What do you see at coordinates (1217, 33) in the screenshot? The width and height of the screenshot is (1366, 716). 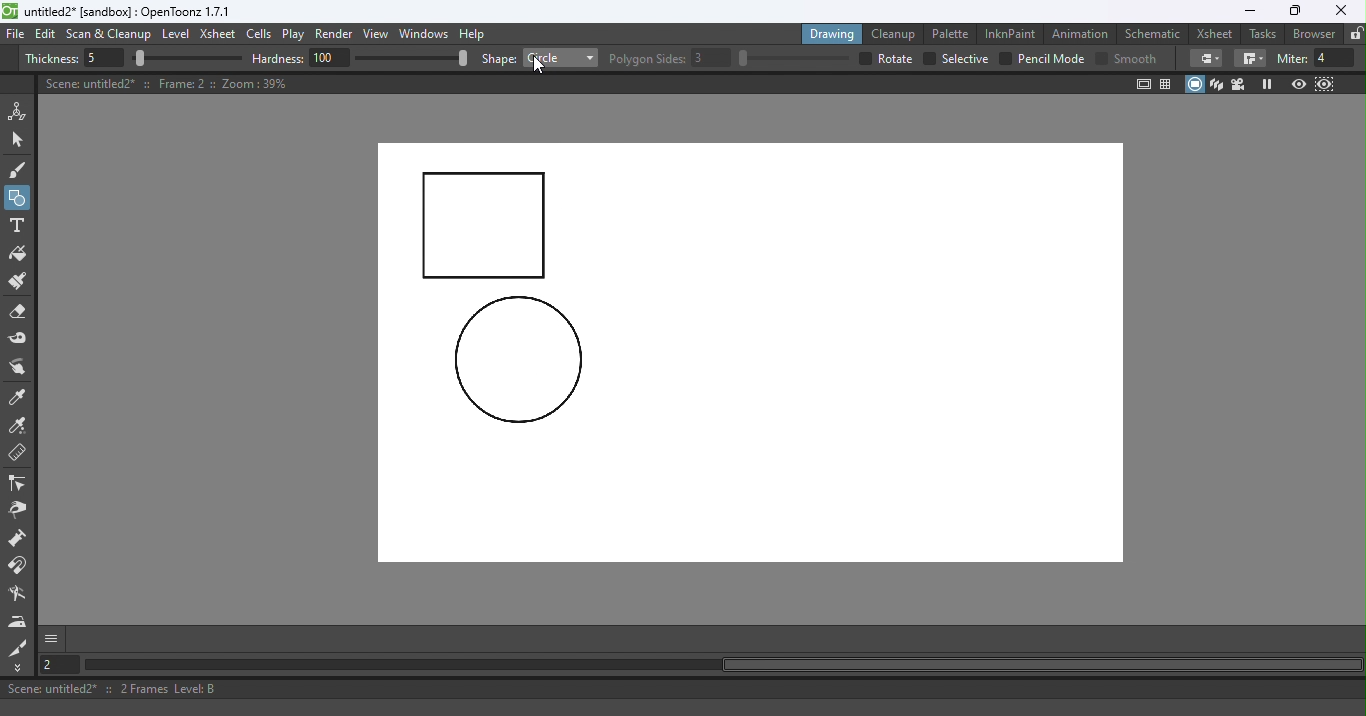 I see `Xsheet` at bounding box center [1217, 33].